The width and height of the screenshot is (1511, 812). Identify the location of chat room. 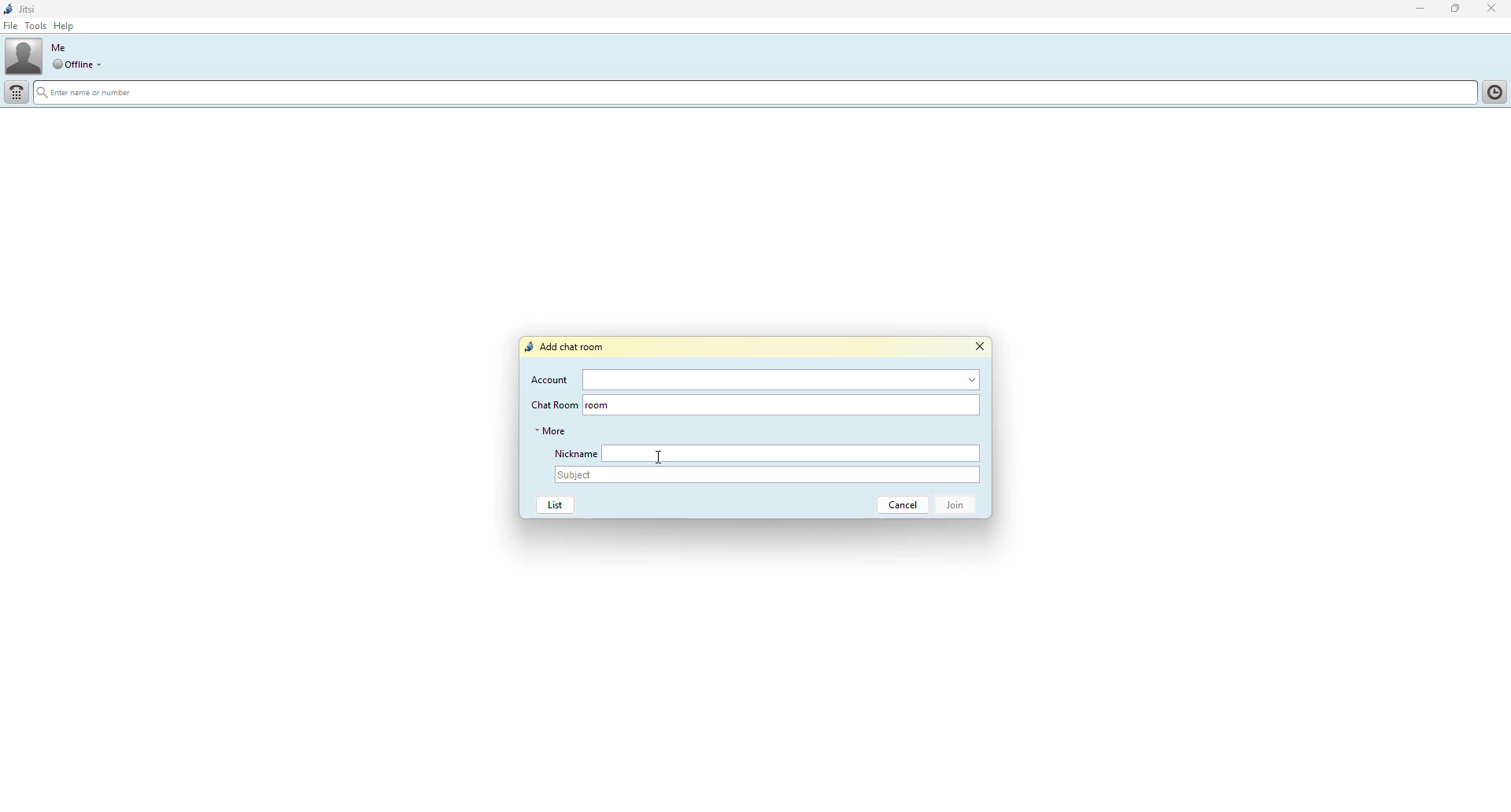
(798, 404).